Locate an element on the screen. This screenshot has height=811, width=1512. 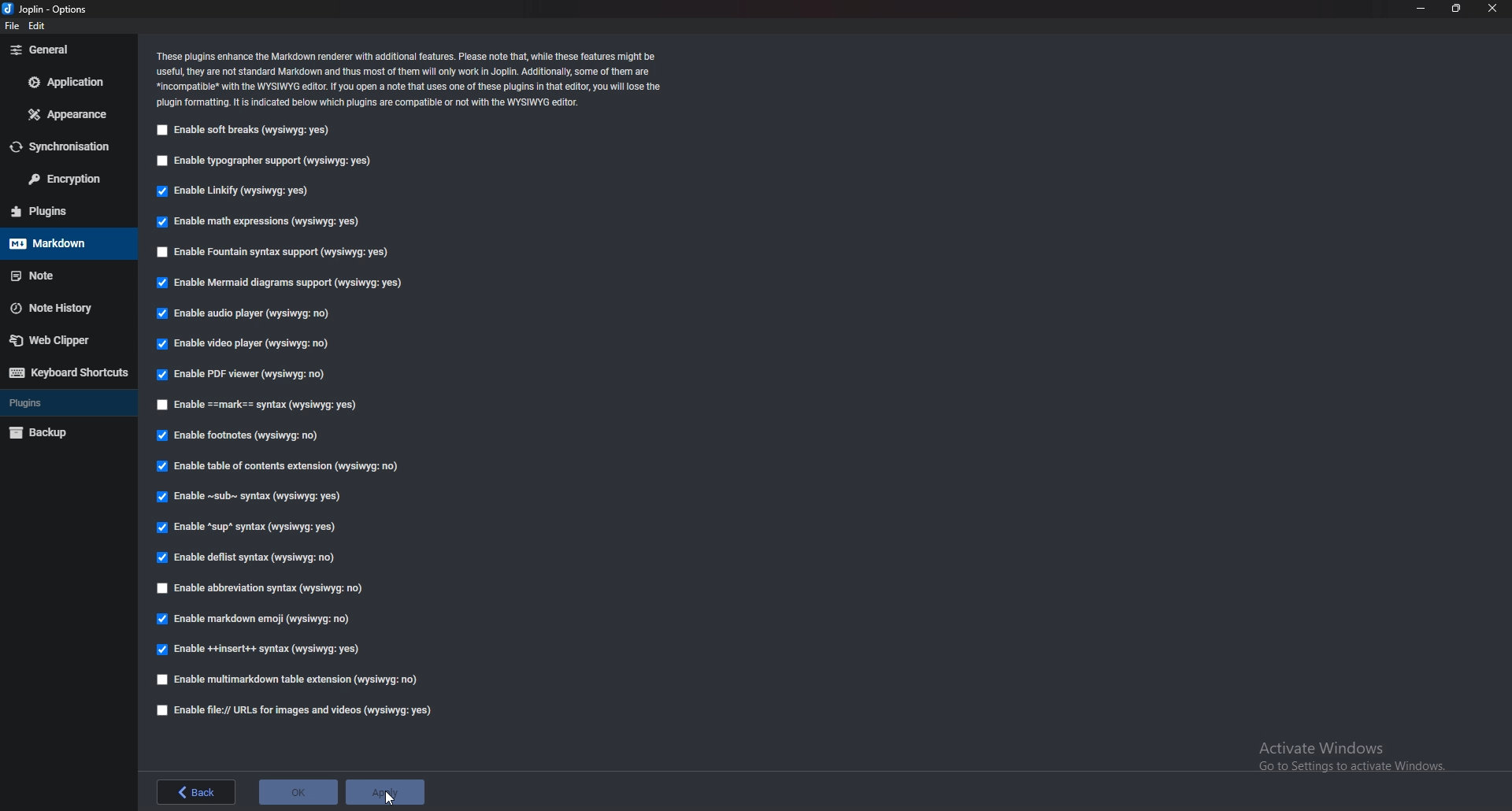
back is located at coordinates (195, 791).